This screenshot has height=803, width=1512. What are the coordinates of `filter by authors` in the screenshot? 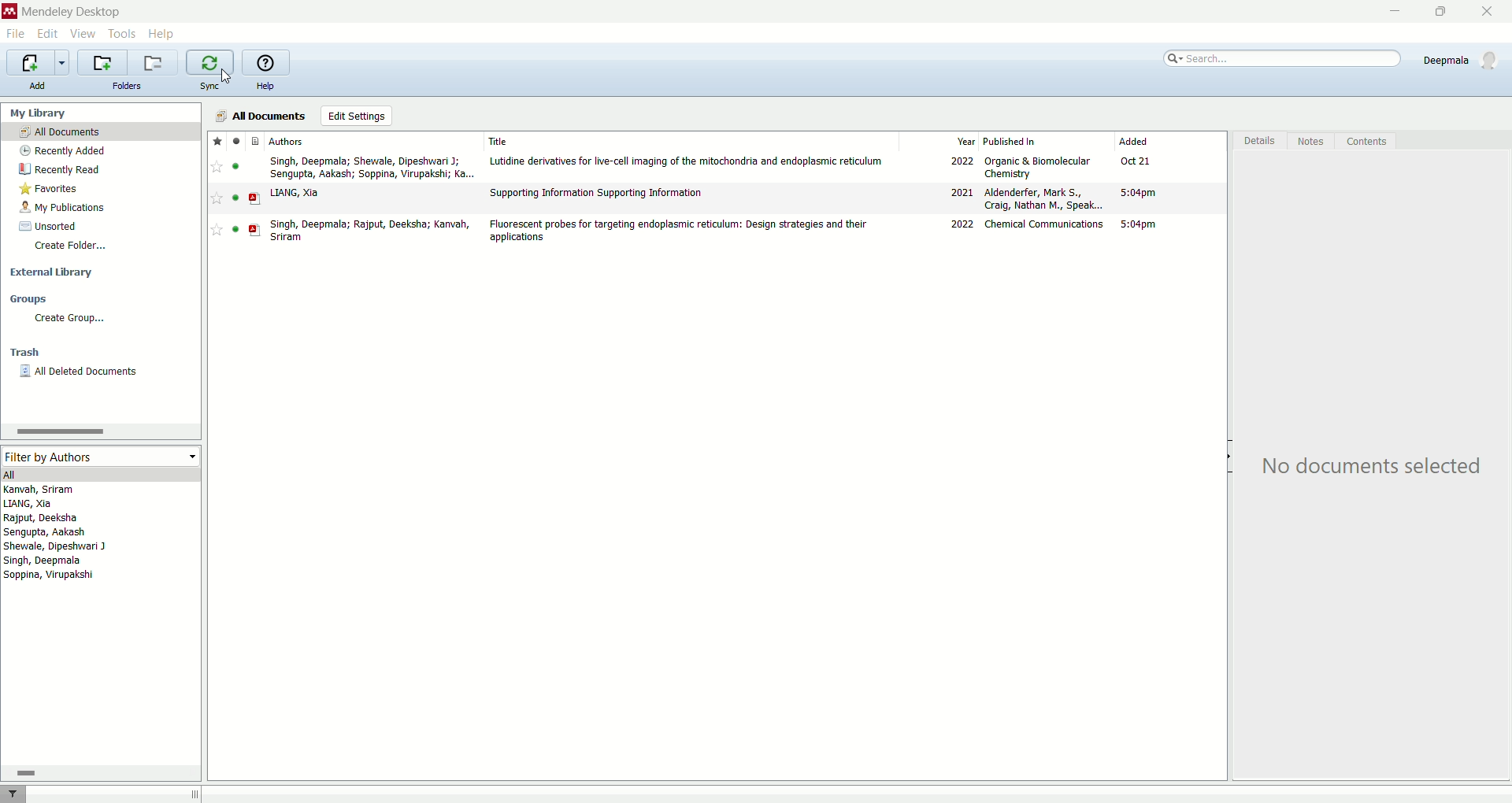 It's located at (102, 457).